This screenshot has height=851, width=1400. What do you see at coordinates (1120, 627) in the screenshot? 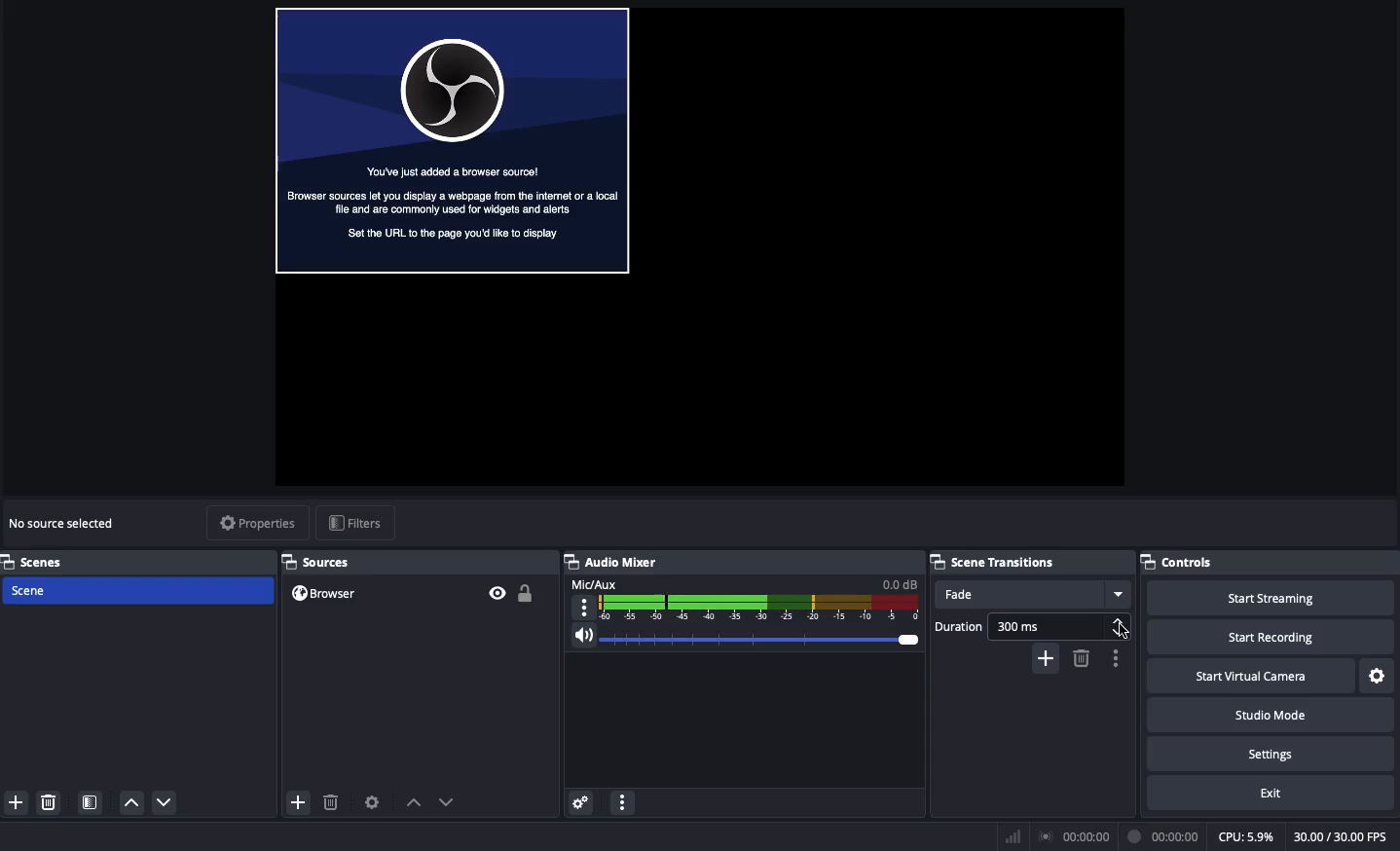
I see `Increase decrease ` at bounding box center [1120, 627].